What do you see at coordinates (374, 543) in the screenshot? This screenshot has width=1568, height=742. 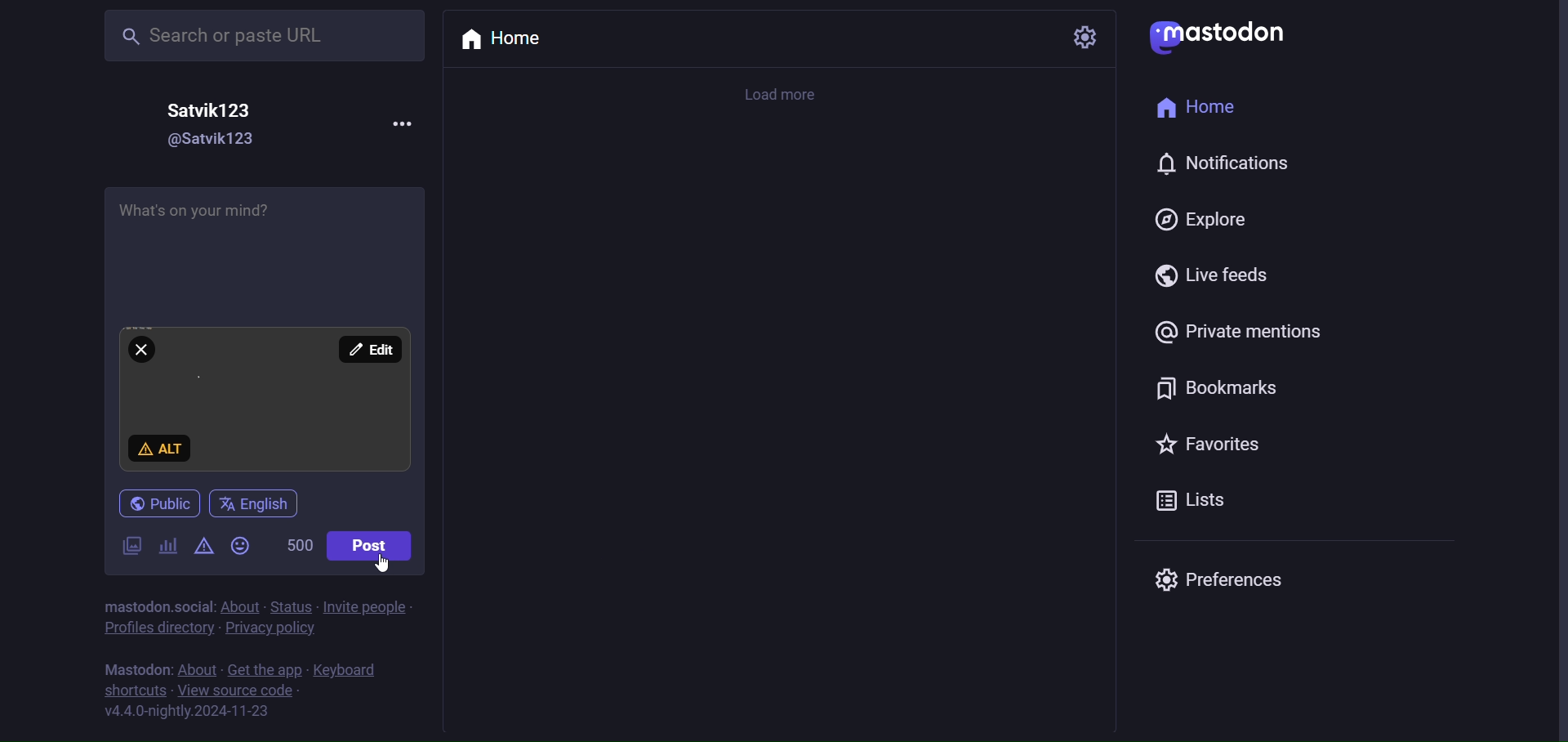 I see `post` at bounding box center [374, 543].